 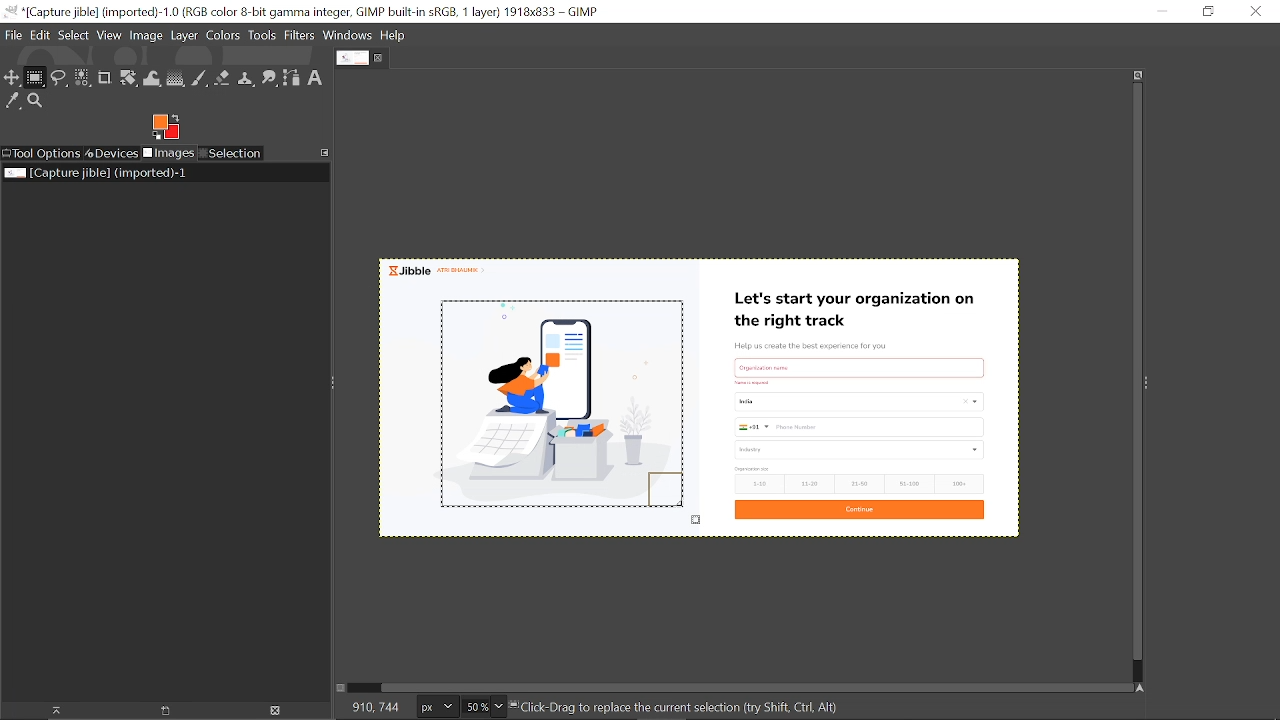 I want to click on Current tab, so click(x=351, y=59).